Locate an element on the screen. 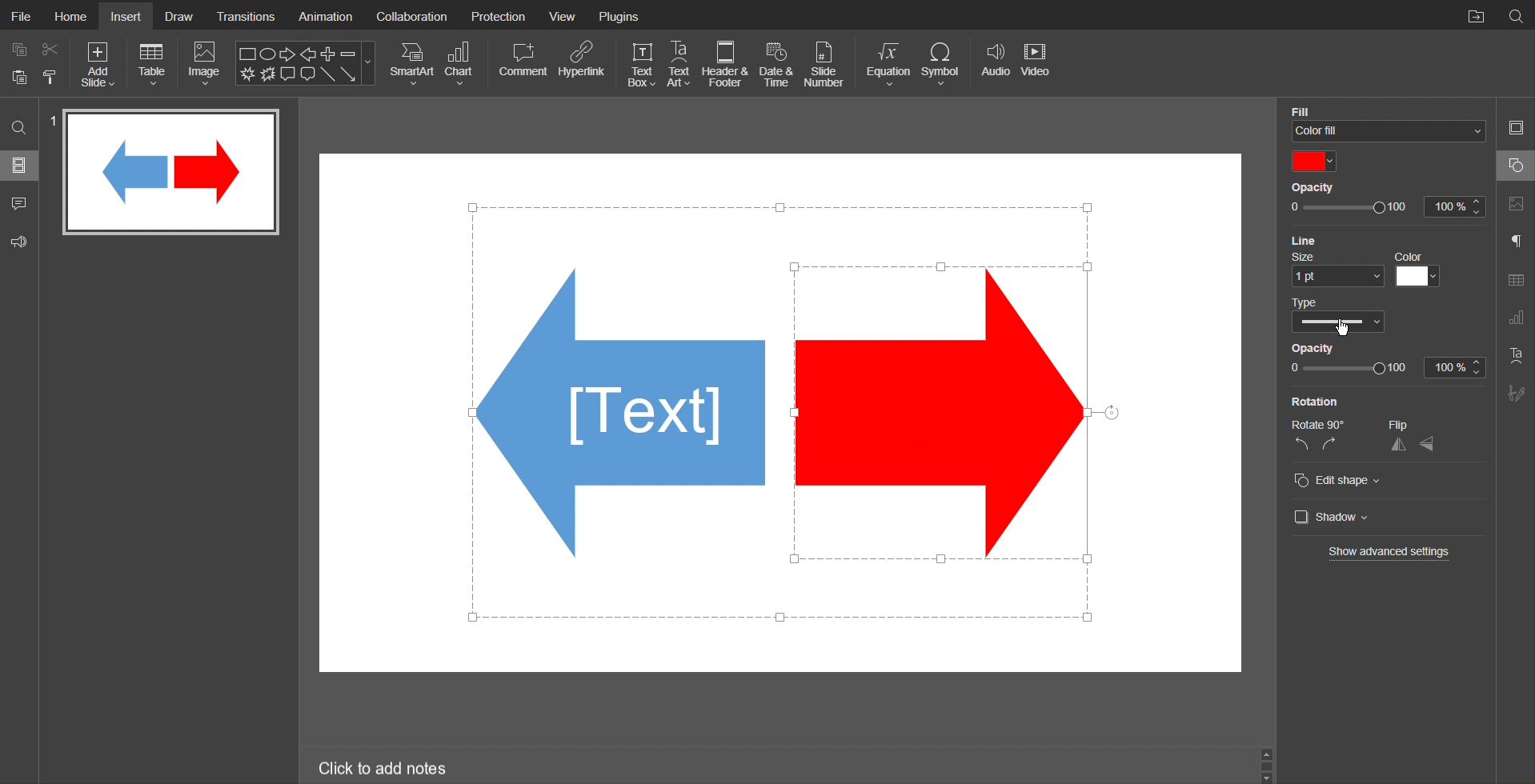 This screenshot has height=784, width=1535. Date and Time is located at coordinates (776, 64).